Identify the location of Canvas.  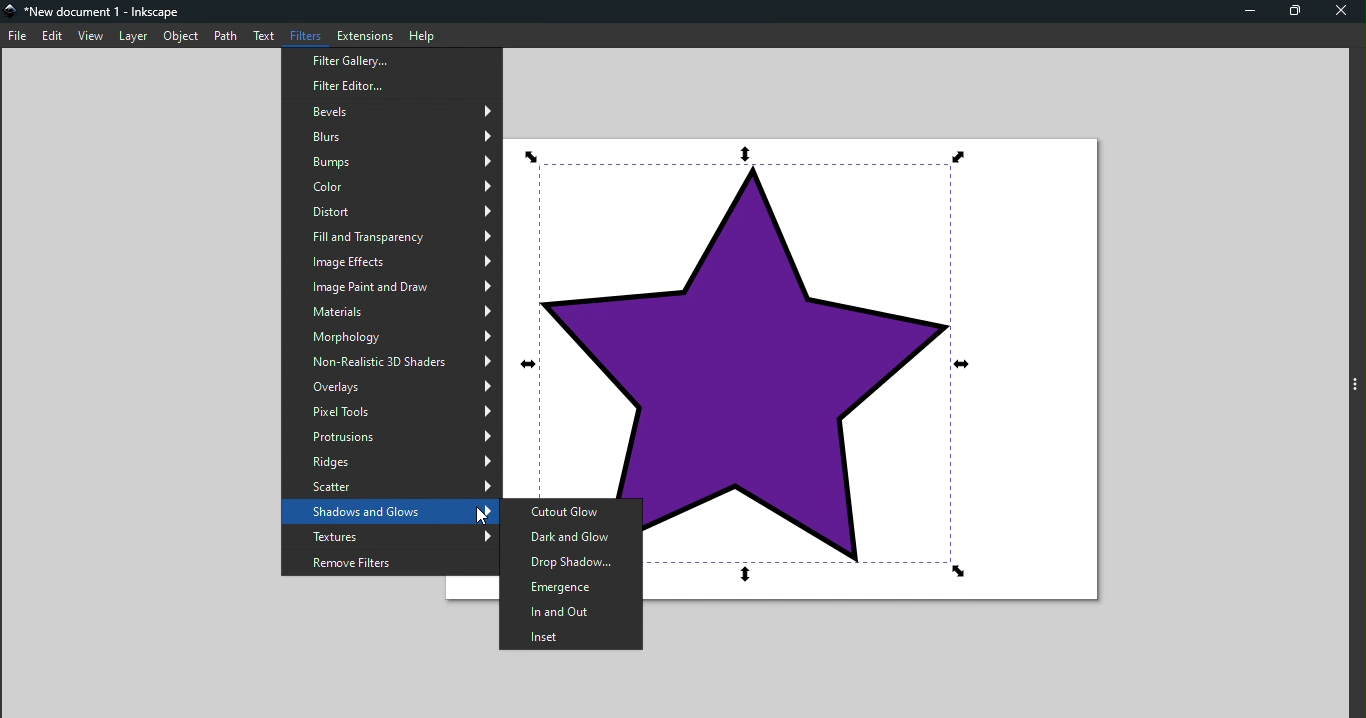
(883, 360).